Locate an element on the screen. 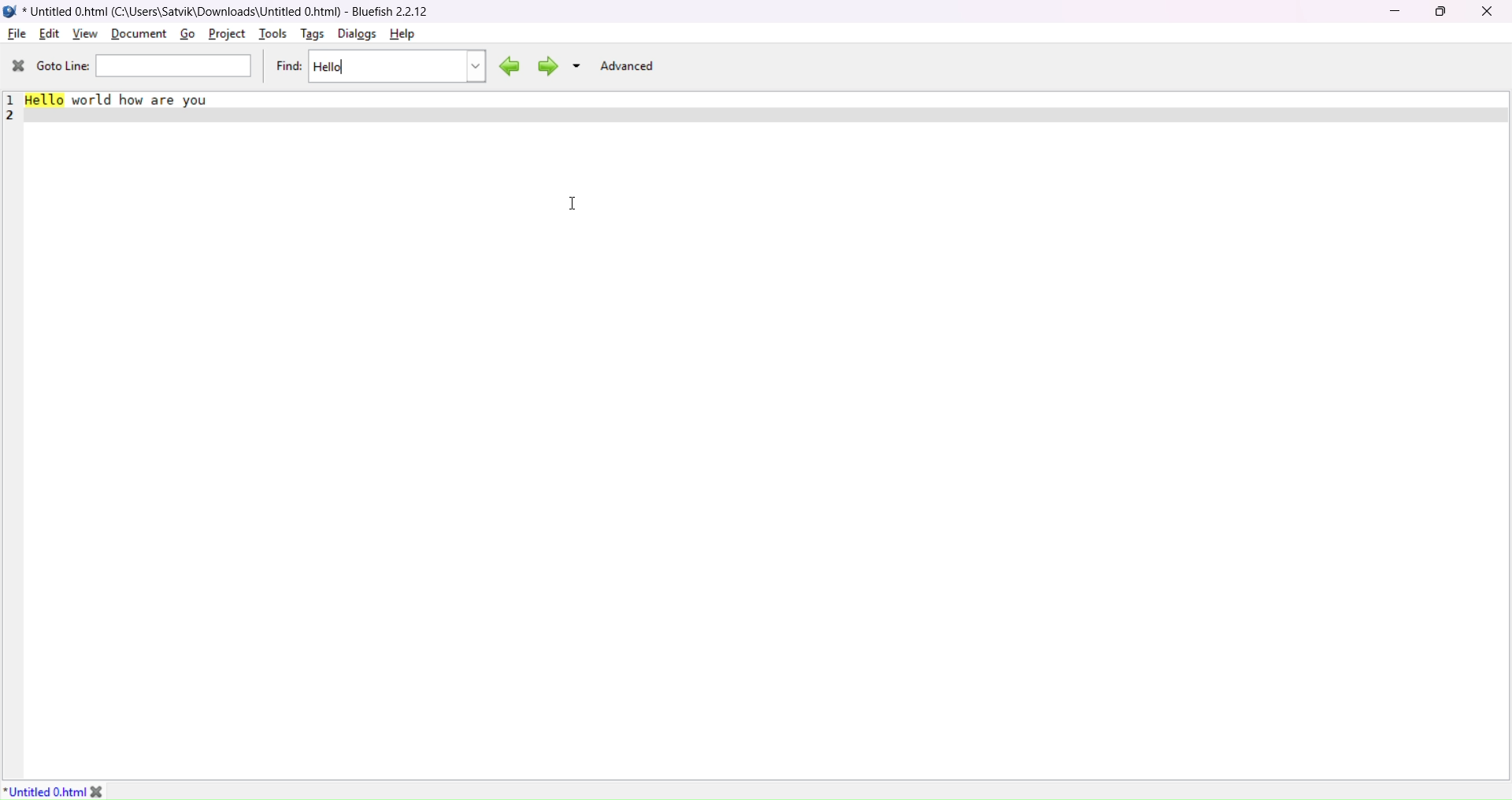 This screenshot has width=1512, height=800. close tab is located at coordinates (109, 790).